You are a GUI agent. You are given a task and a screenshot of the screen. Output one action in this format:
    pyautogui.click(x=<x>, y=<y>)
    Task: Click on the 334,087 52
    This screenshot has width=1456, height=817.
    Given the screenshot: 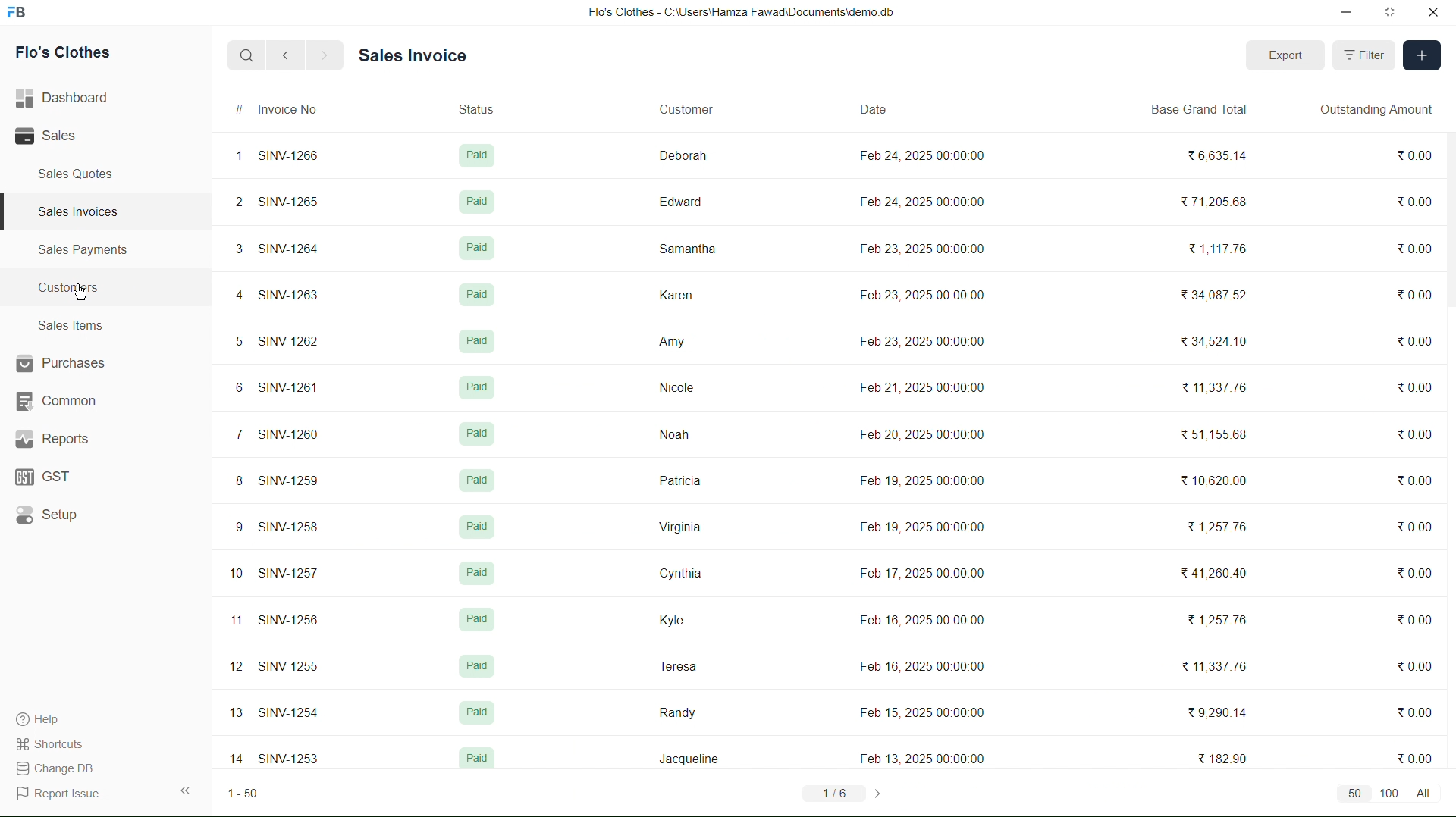 What is the action you would take?
    pyautogui.click(x=1228, y=298)
    